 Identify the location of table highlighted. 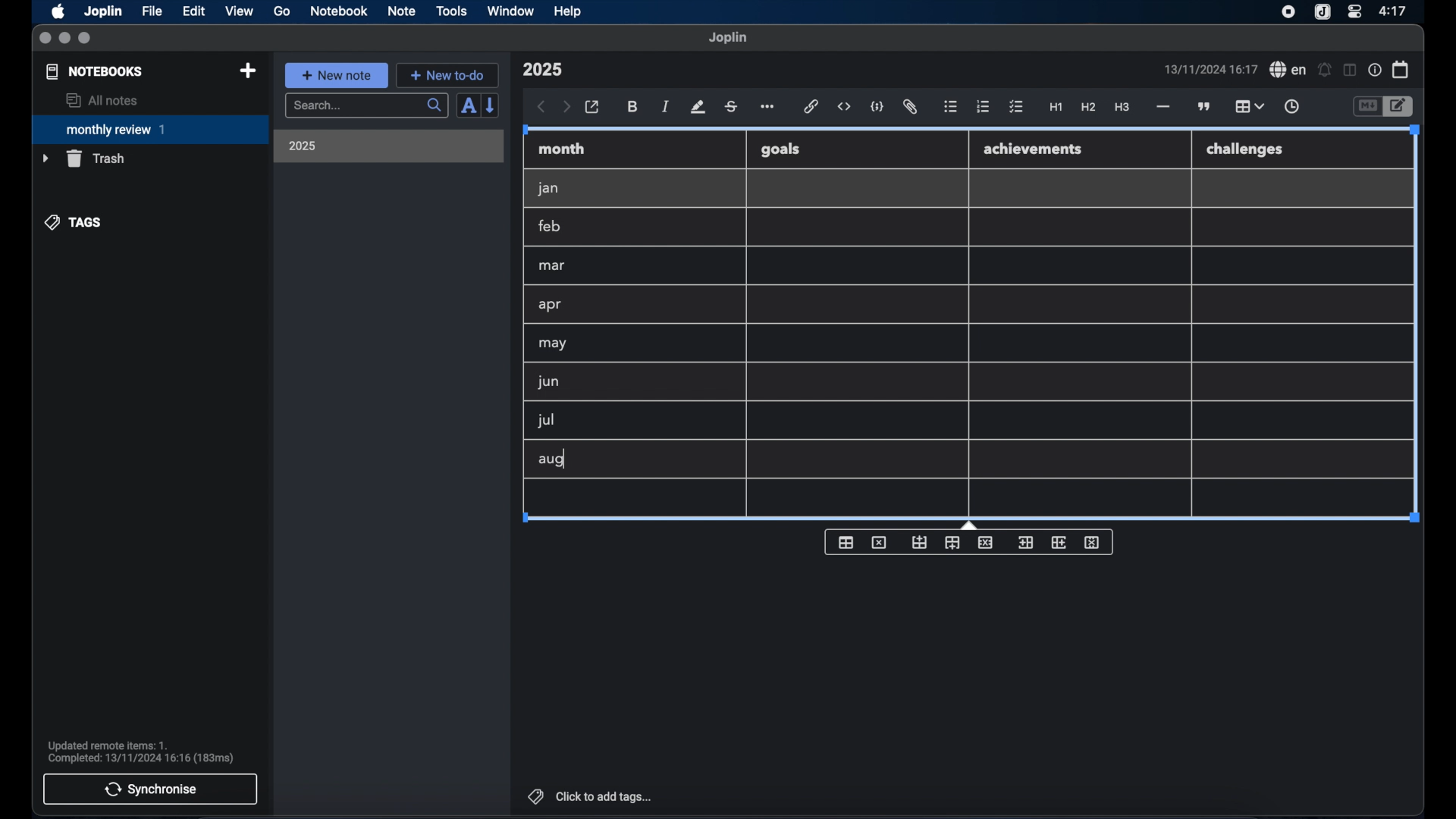
(1247, 106).